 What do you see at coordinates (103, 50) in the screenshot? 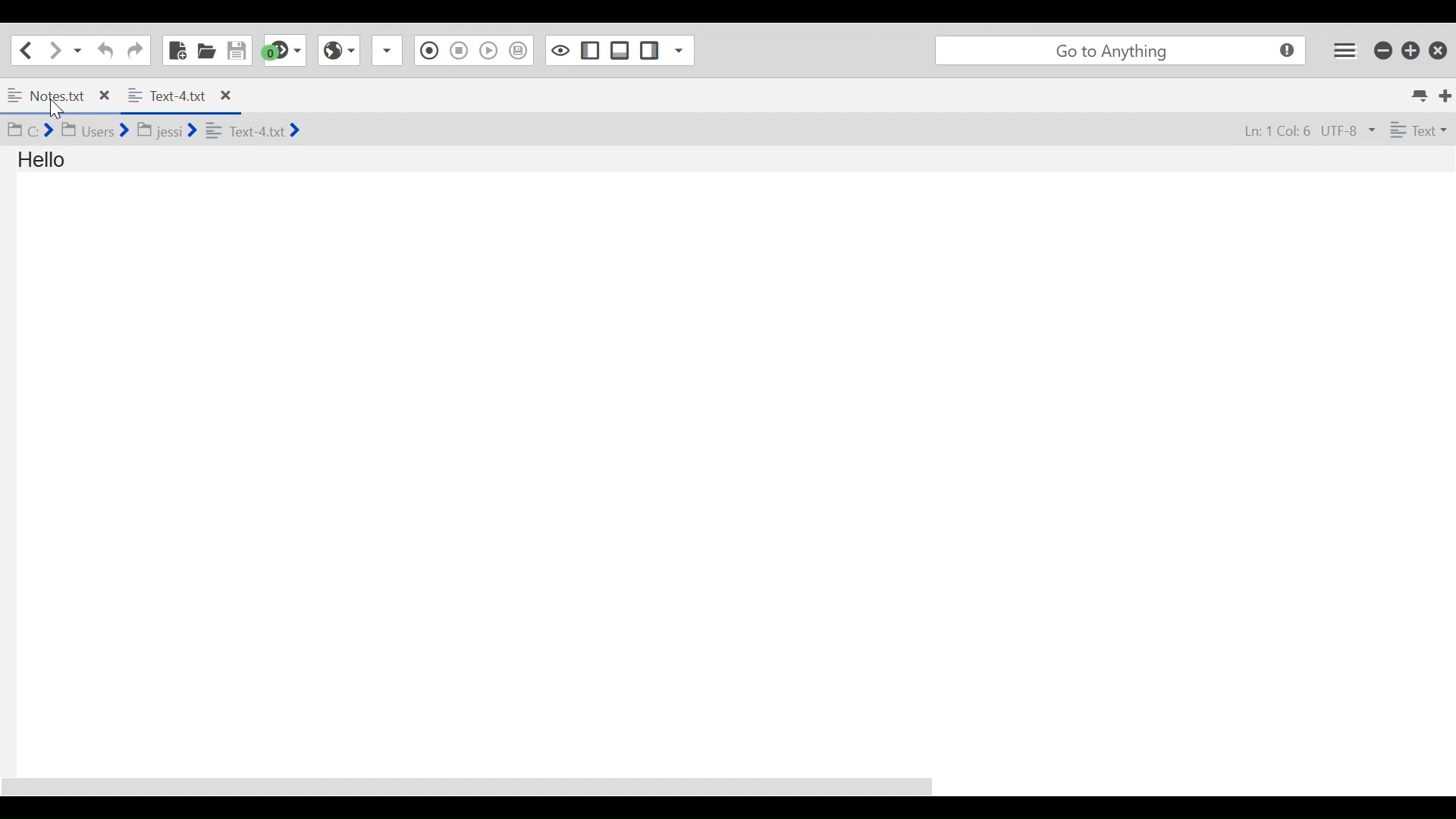
I see `Undo Last Action` at bounding box center [103, 50].